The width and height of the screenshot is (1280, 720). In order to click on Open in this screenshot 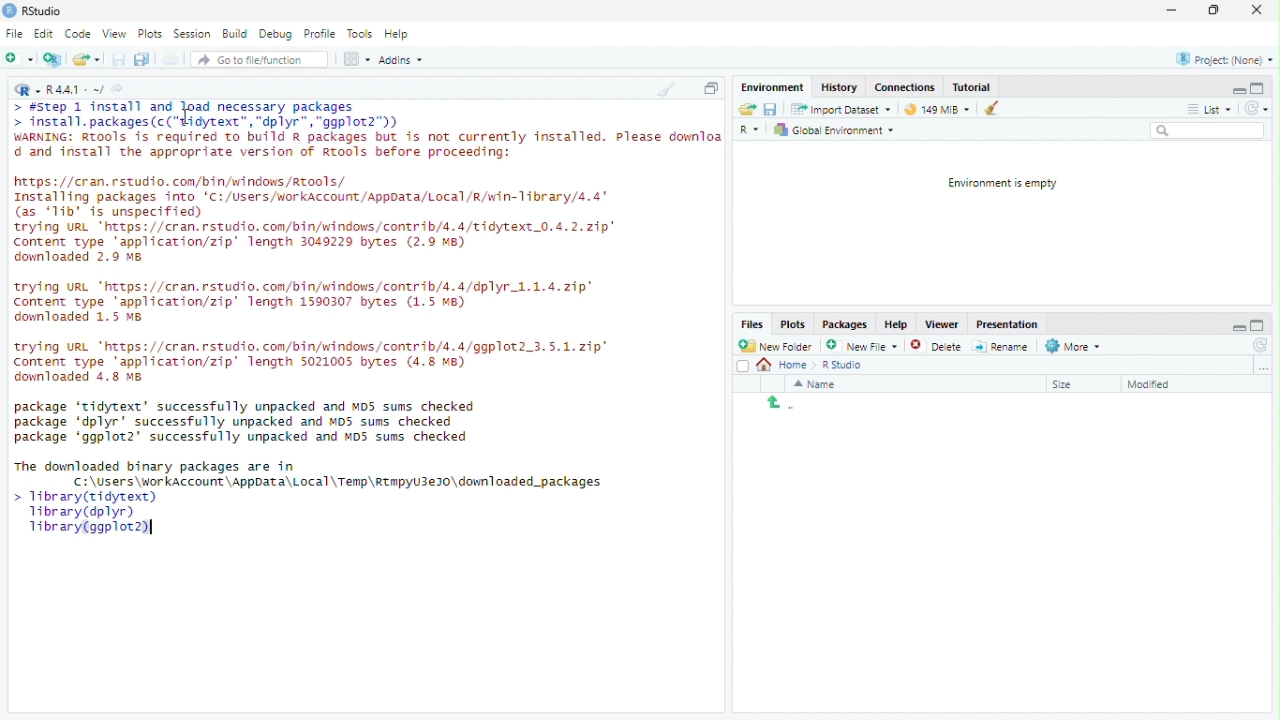, I will do `click(85, 59)`.